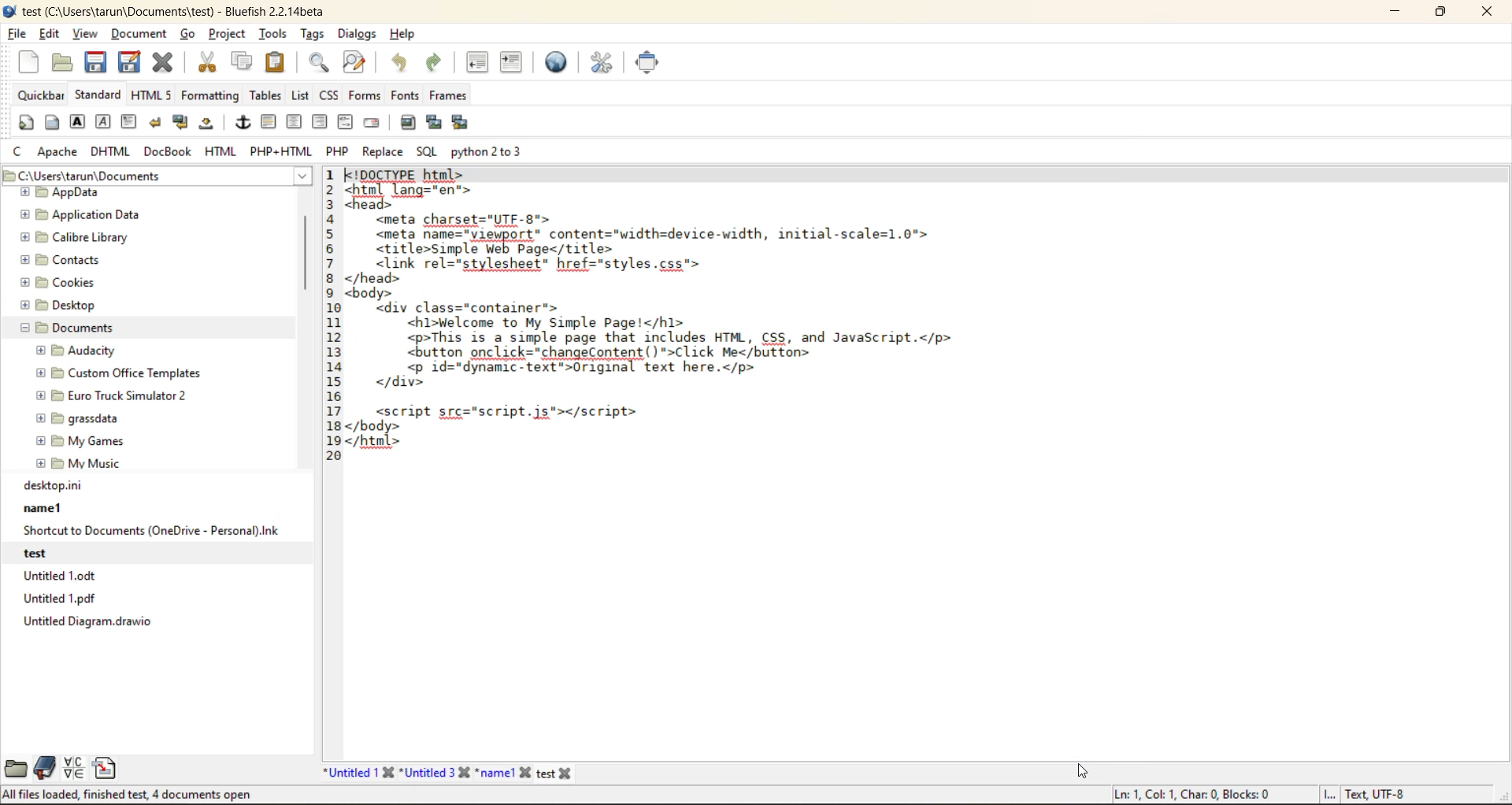  I want to click on email, so click(374, 122).